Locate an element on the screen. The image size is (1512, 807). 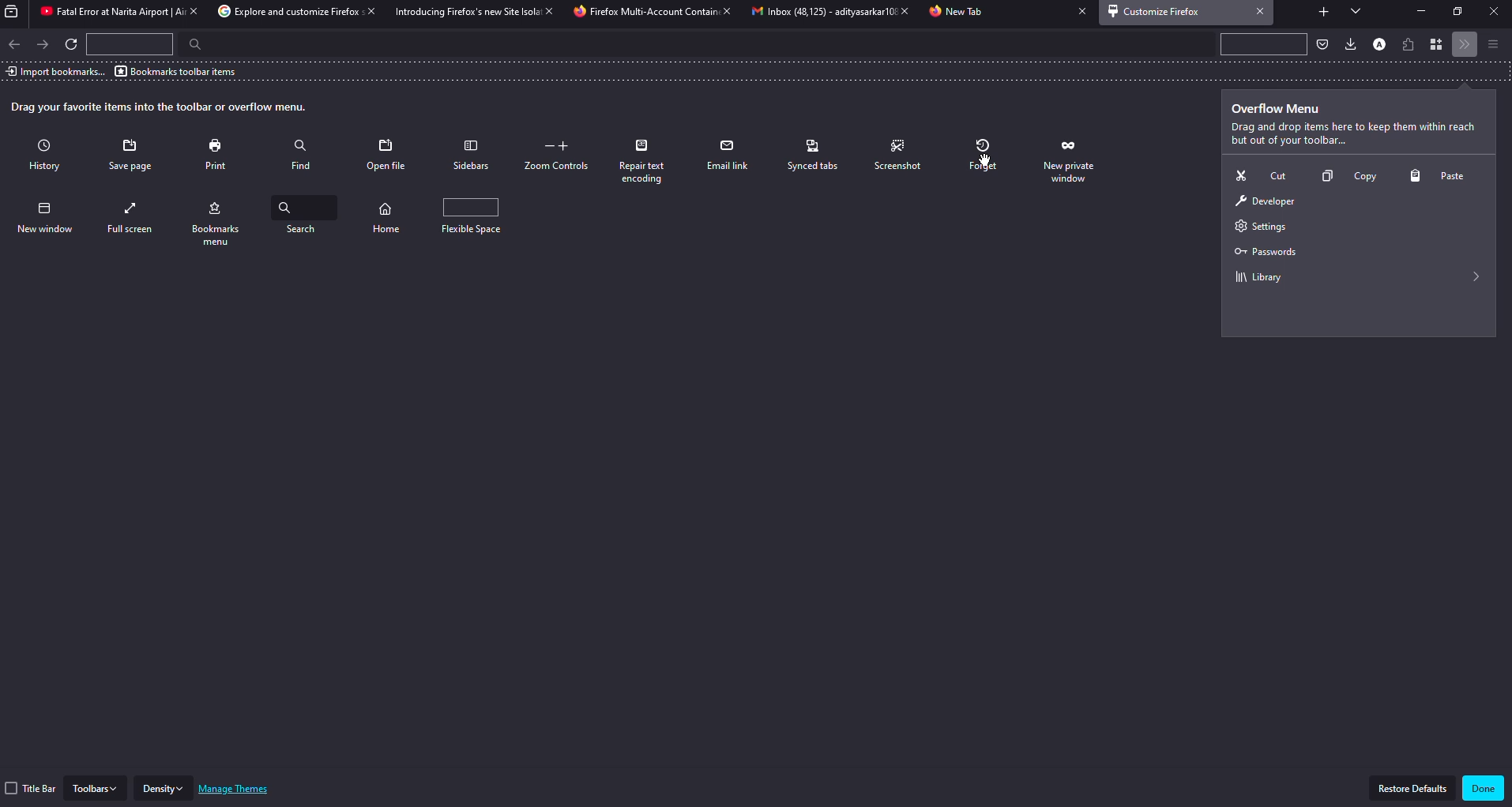
done is located at coordinates (1483, 789).